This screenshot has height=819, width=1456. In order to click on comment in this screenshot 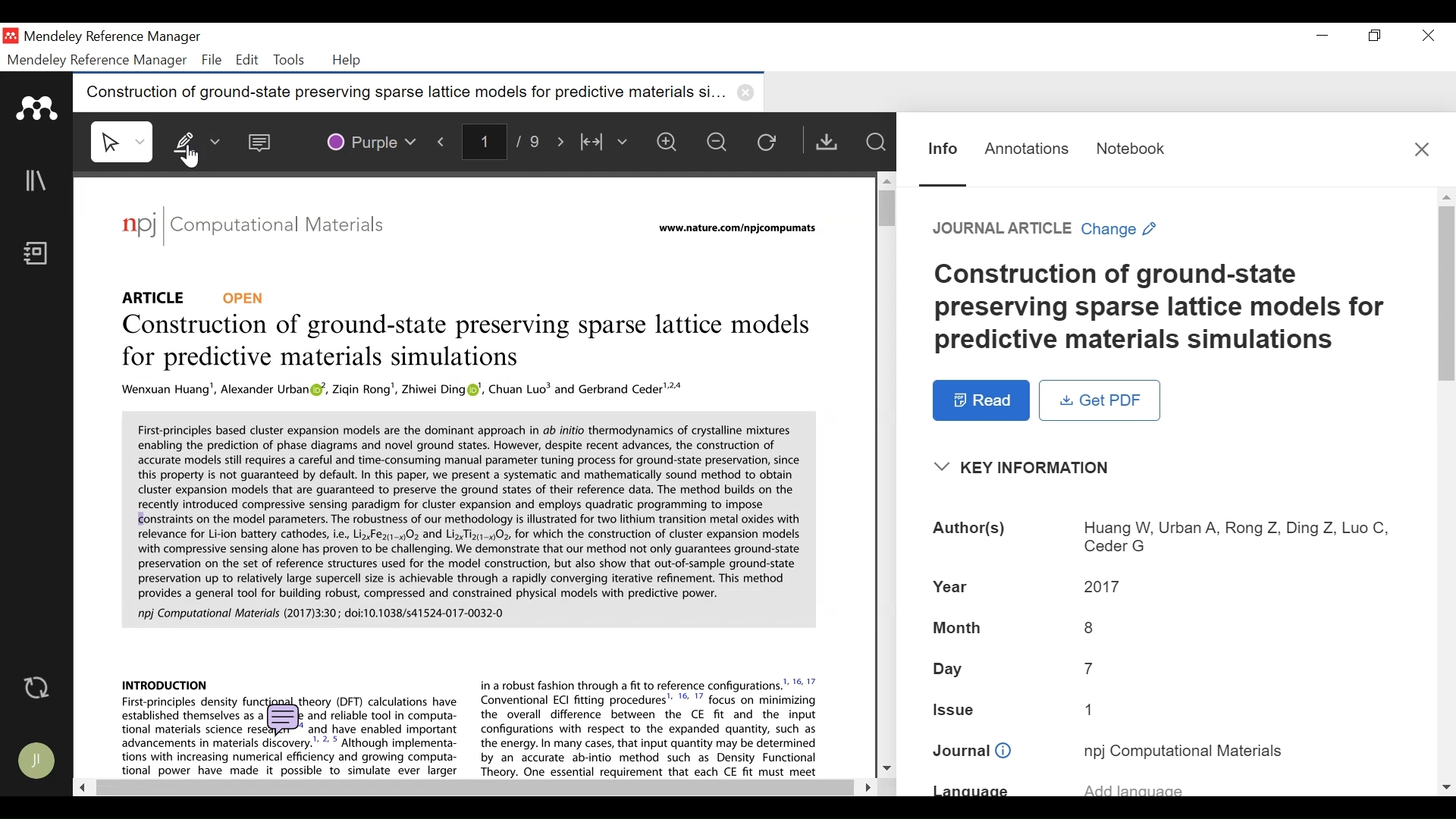, I will do `click(284, 718)`.